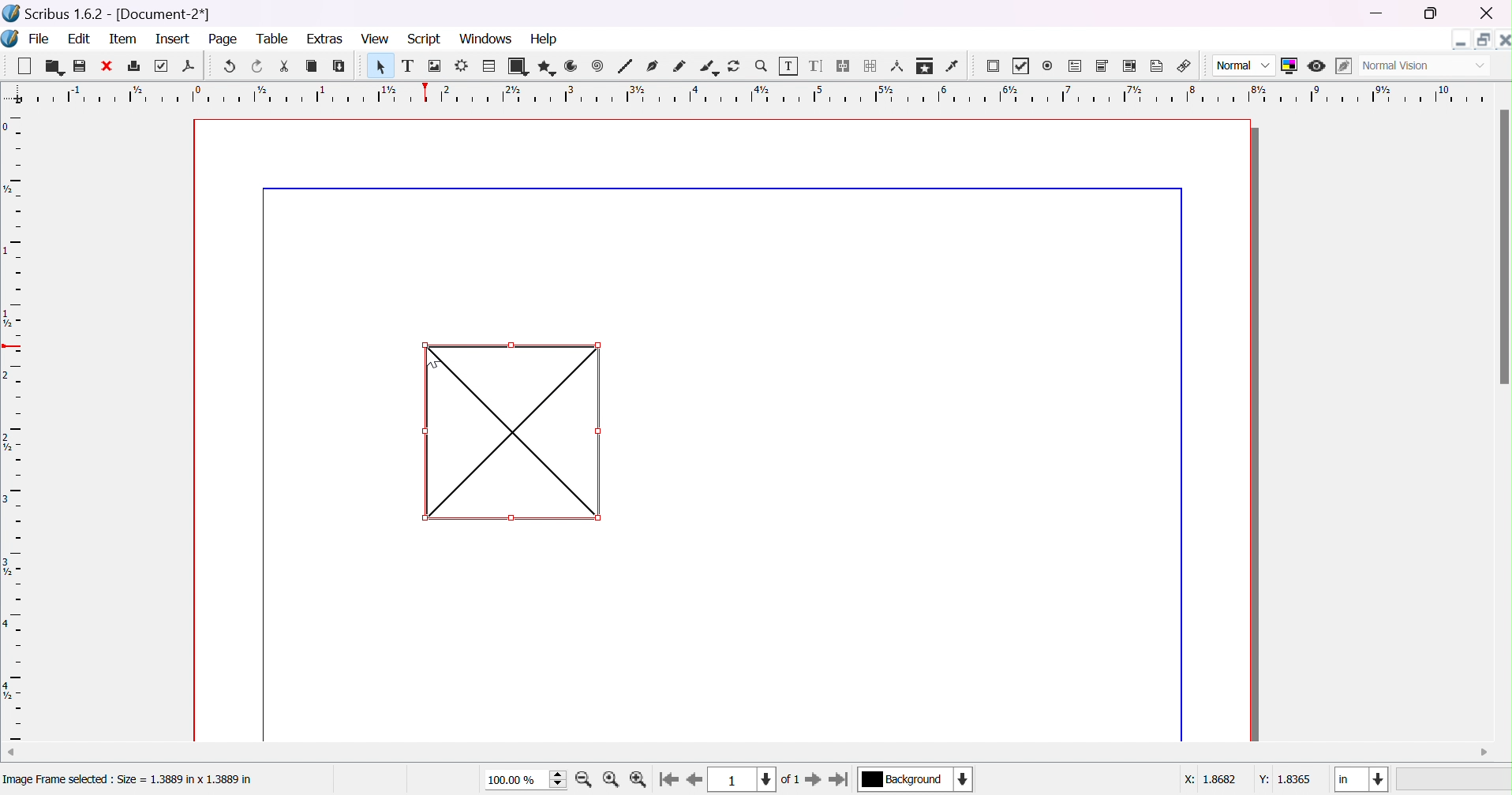 This screenshot has width=1512, height=795. I want to click on windows, so click(485, 40).